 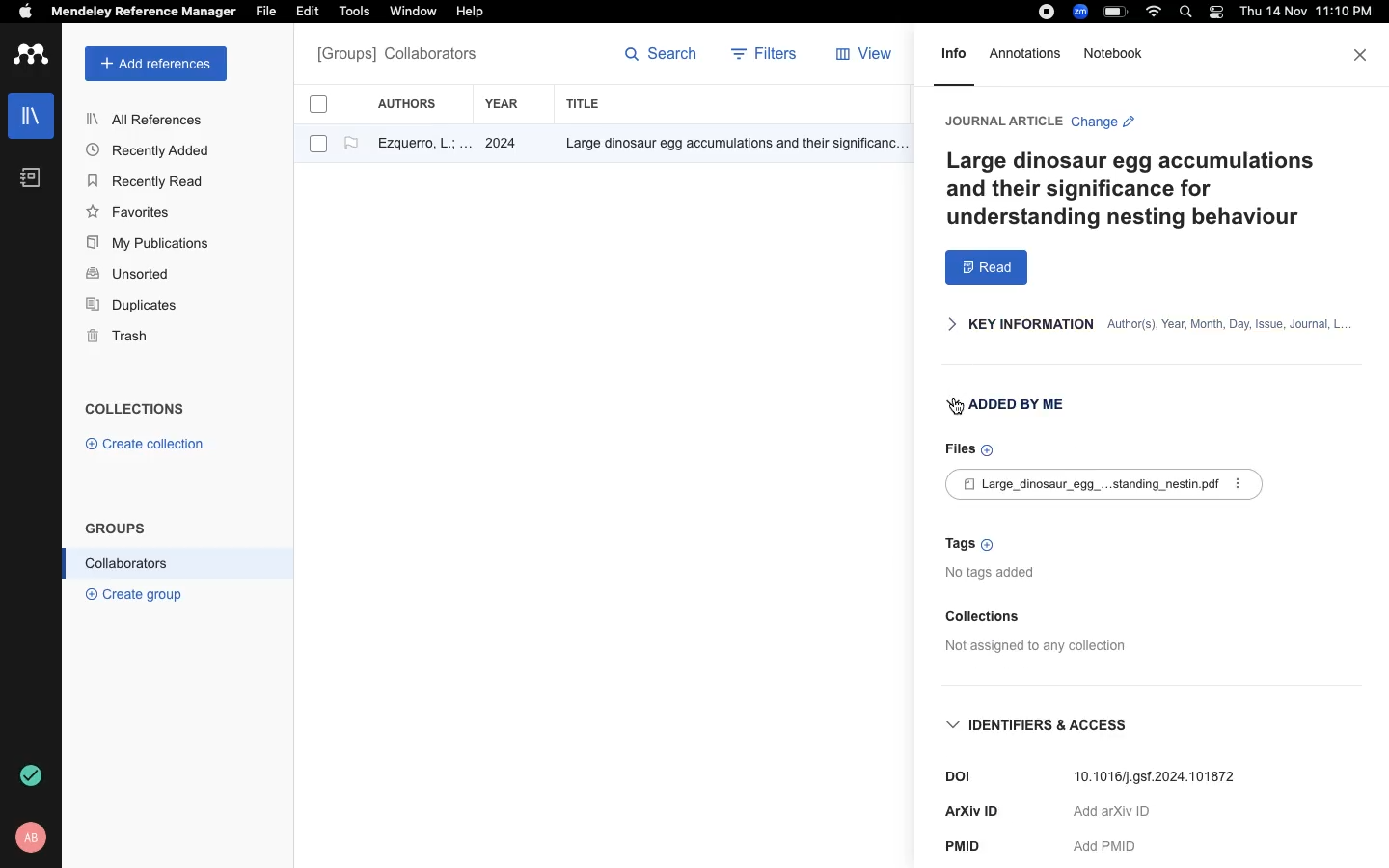 What do you see at coordinates (1120, 53) in the screenshot?
I see `notebook` at bounding box center [1120, 53].